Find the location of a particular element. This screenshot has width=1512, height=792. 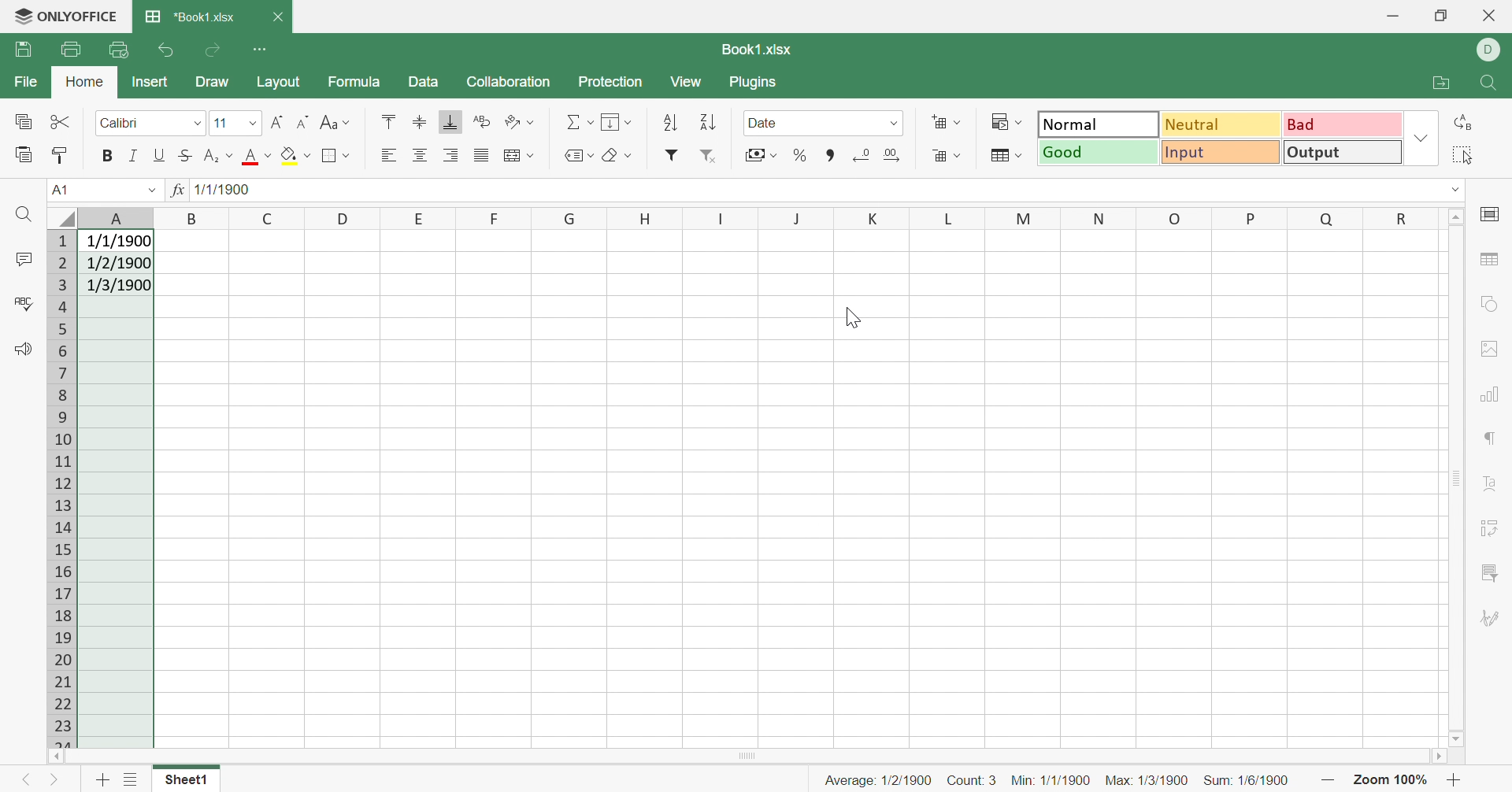

Redo is located at coordinates (216, 48).